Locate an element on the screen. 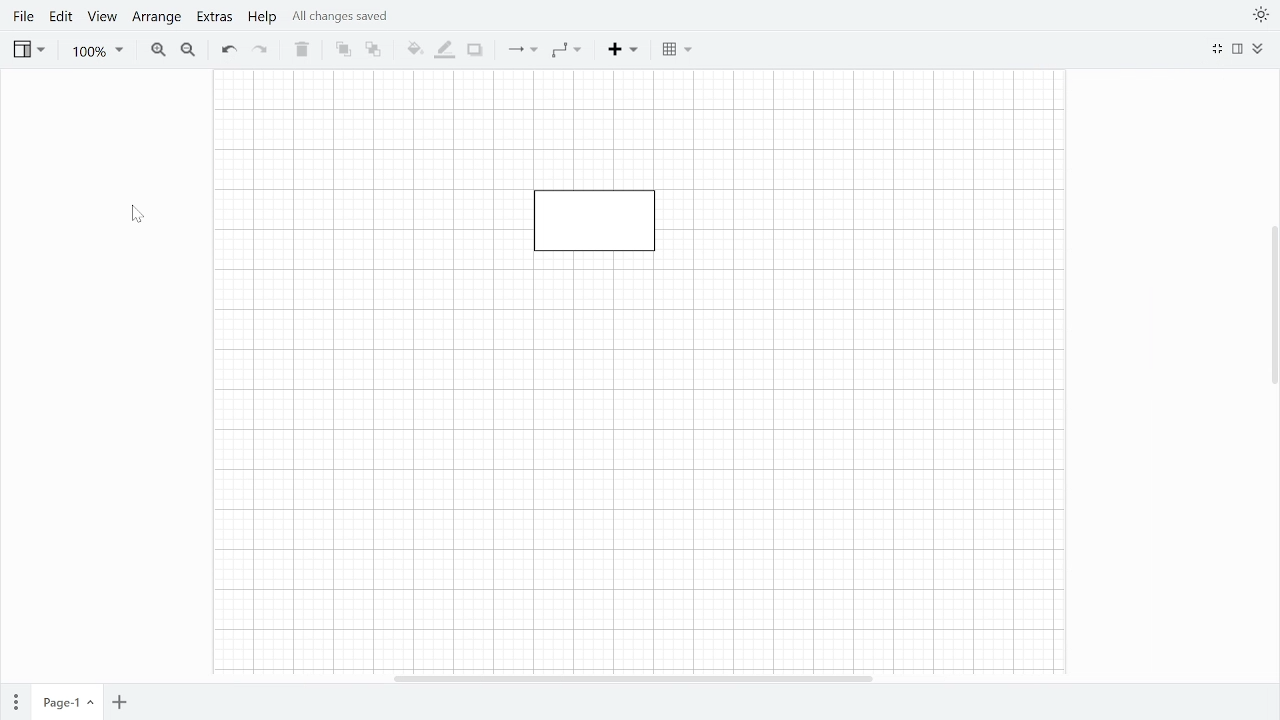  Waypoints is located at coordinates (568, 52).